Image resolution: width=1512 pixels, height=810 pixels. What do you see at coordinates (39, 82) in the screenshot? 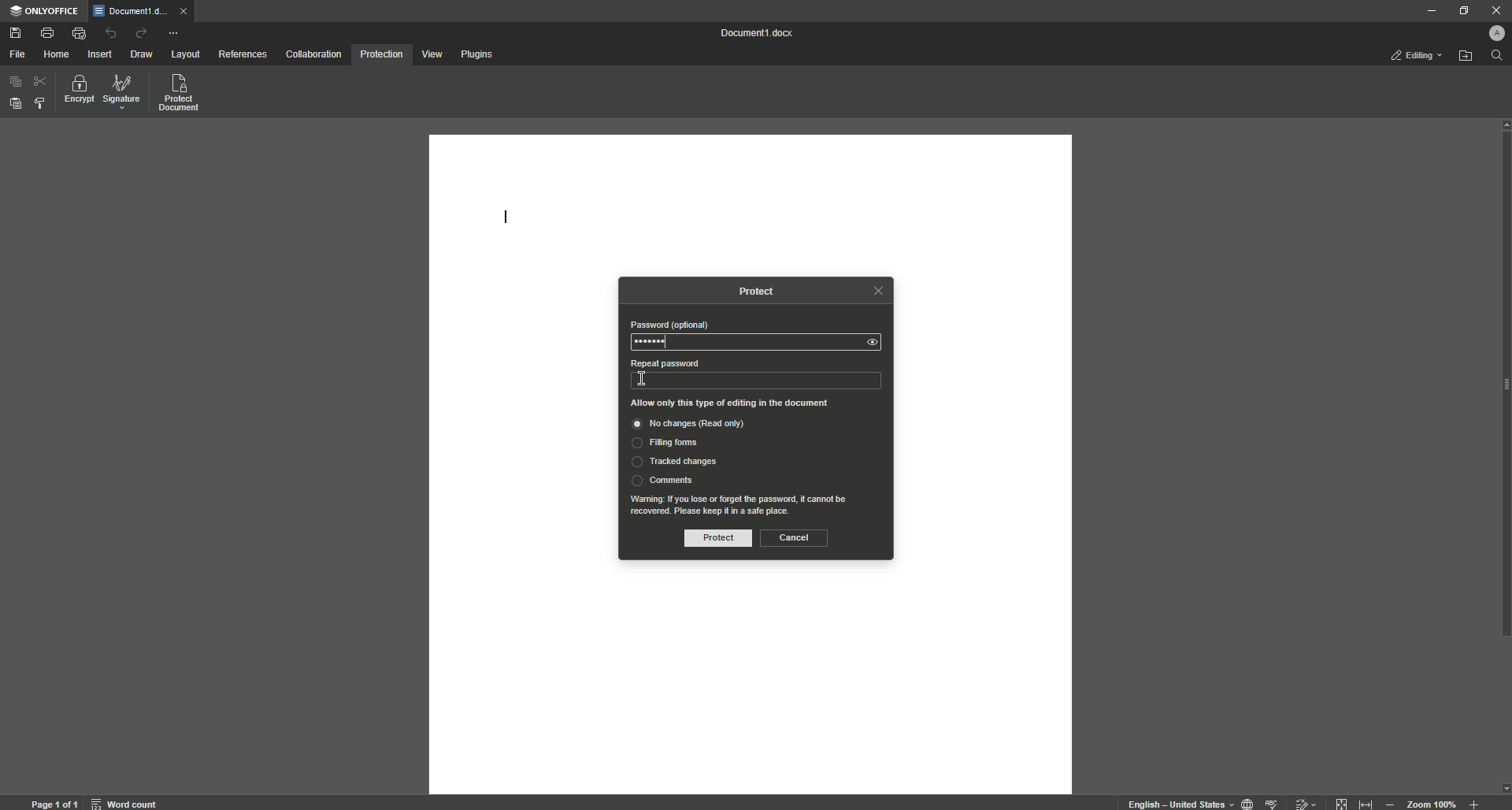
I see `Cut` at bounding box center [39, 82].